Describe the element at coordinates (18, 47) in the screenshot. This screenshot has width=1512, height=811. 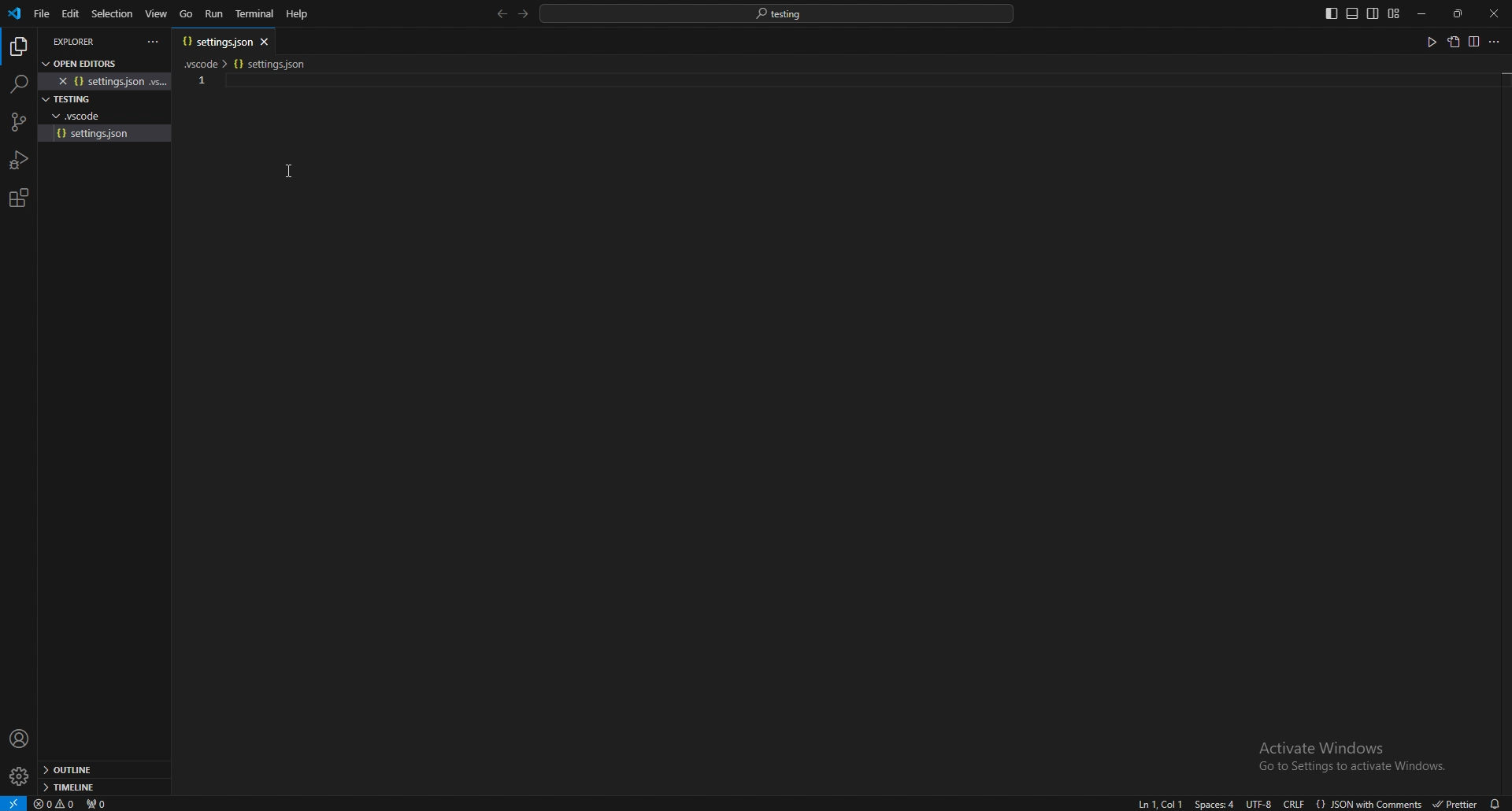
I see `explorer` at that location.